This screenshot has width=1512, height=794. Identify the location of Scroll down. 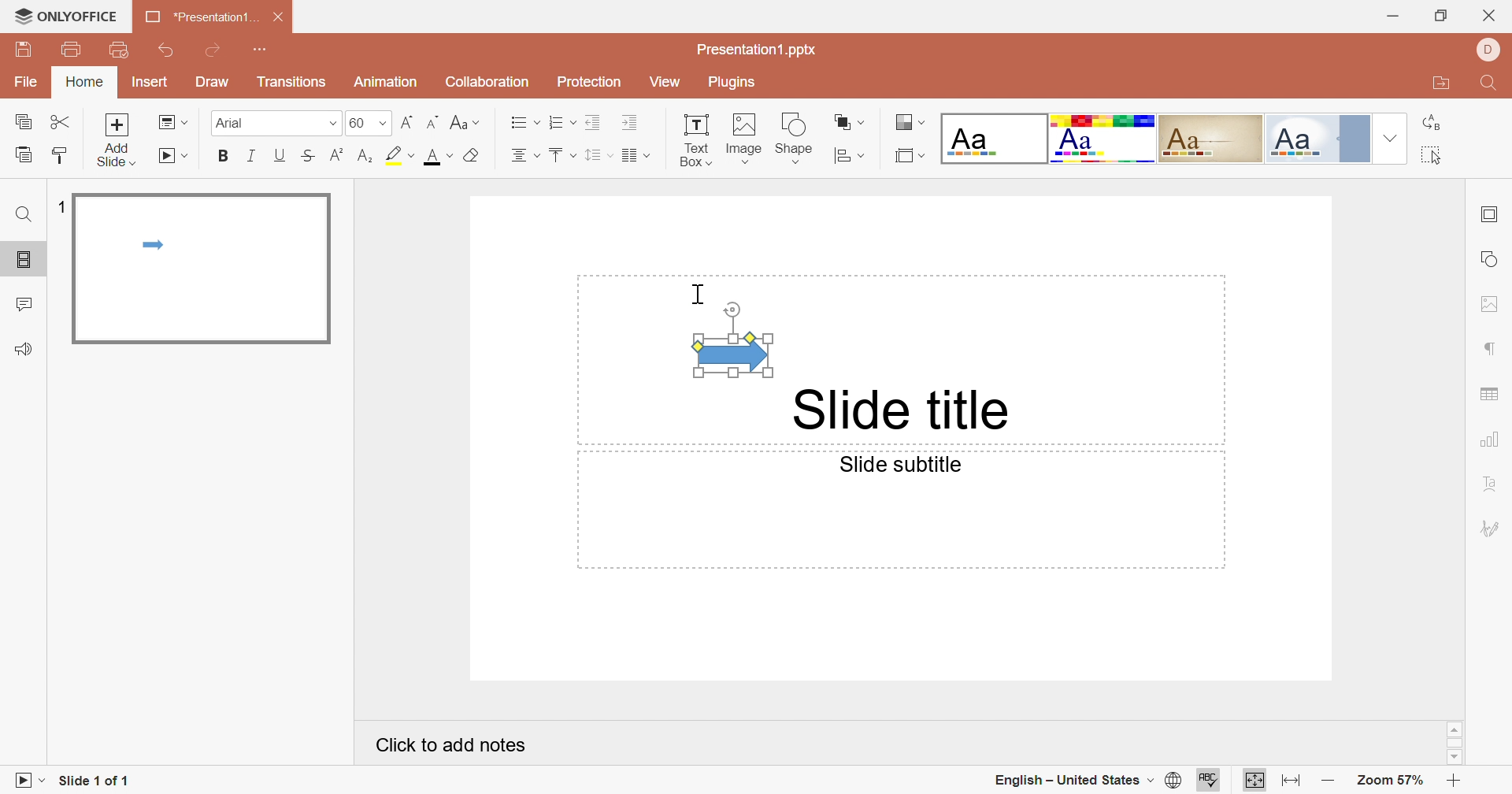
(1456, 759).